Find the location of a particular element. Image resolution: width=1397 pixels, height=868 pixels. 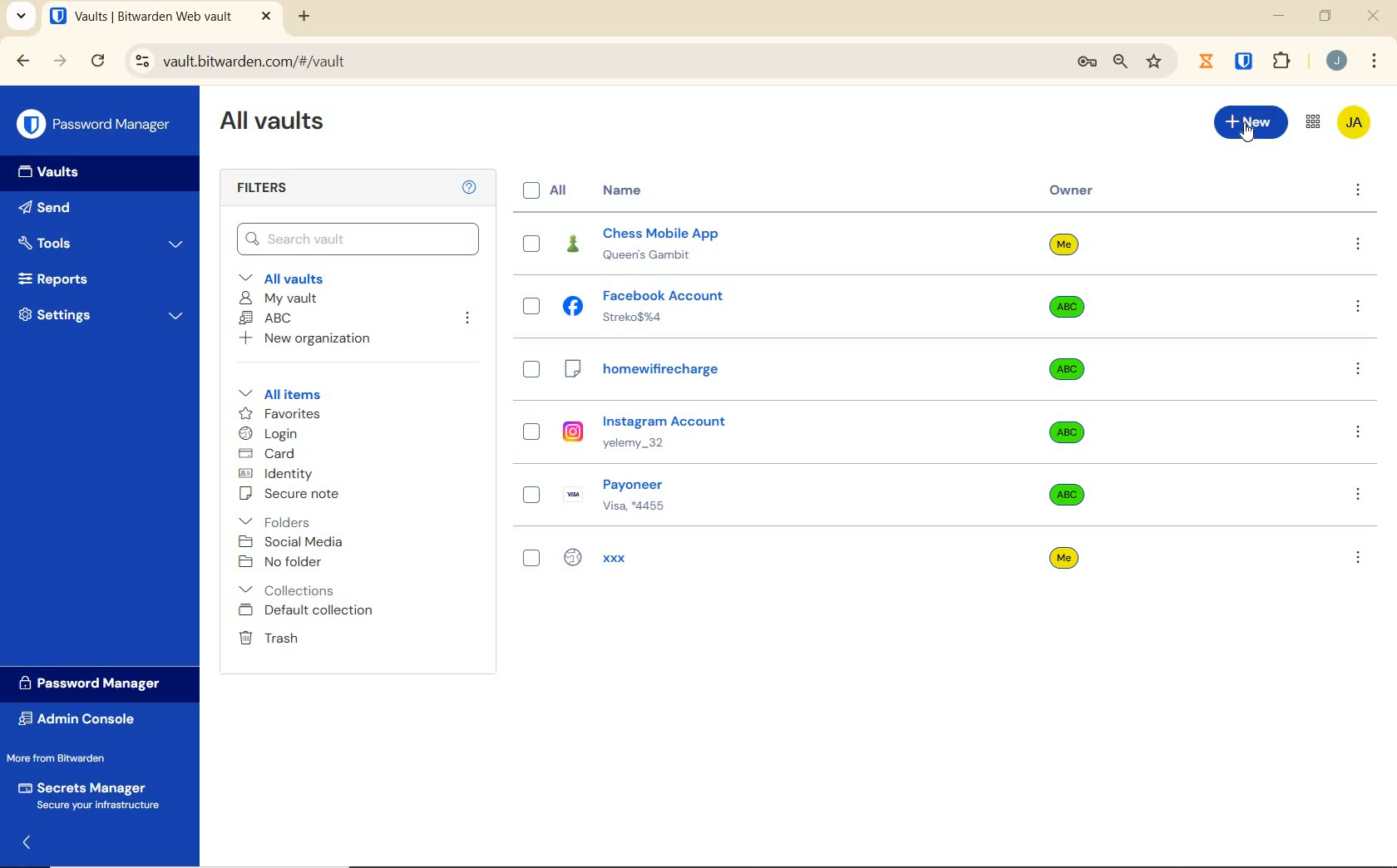

chess mobile app is located at coordinates (765, 245).